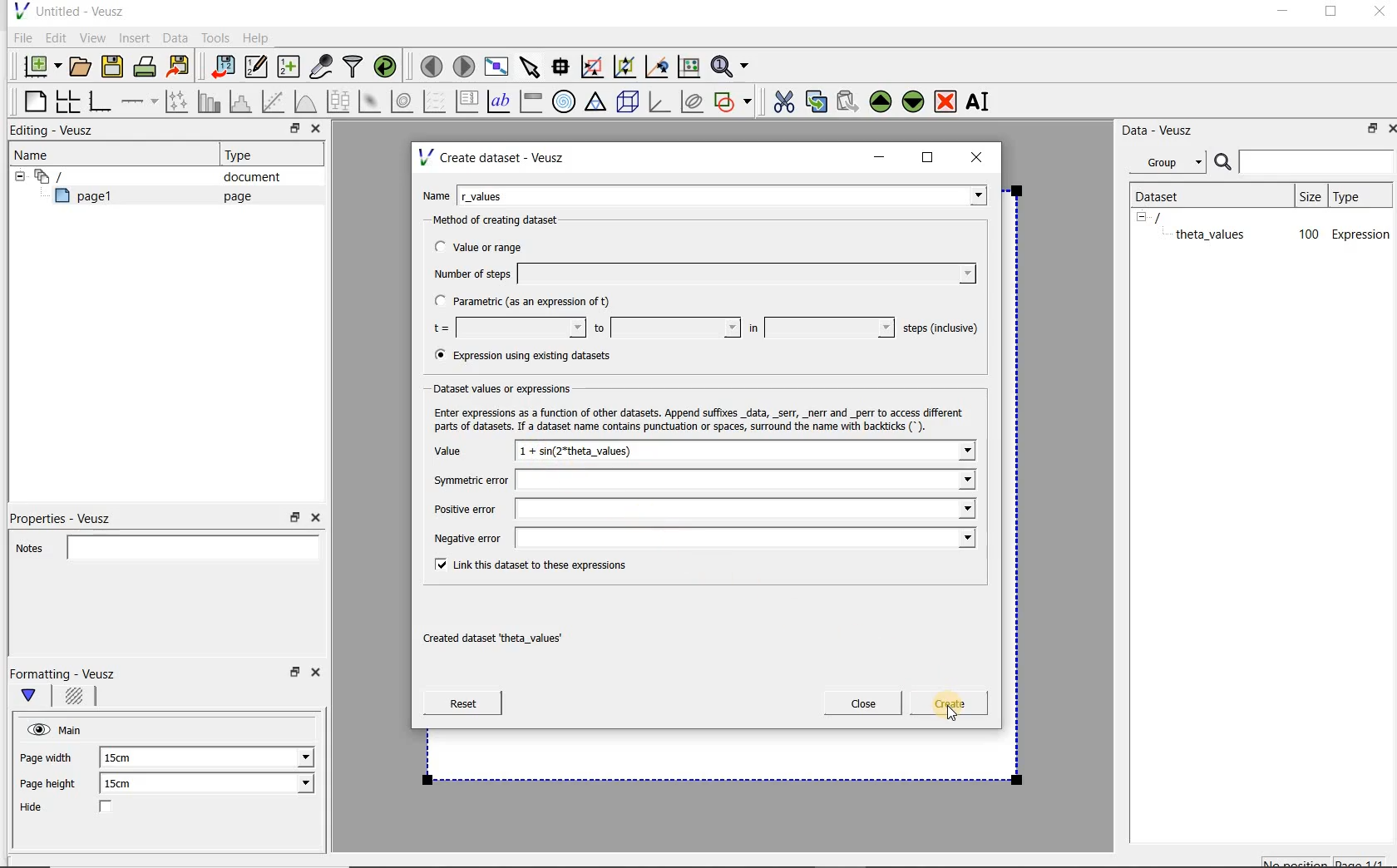 This screenshot has height=868, width=1397. What do you see at coordinates (36, 729) in the screenshot?
I see `visible (click to hide, set Hide to true)` at bounding box center [36, 729].